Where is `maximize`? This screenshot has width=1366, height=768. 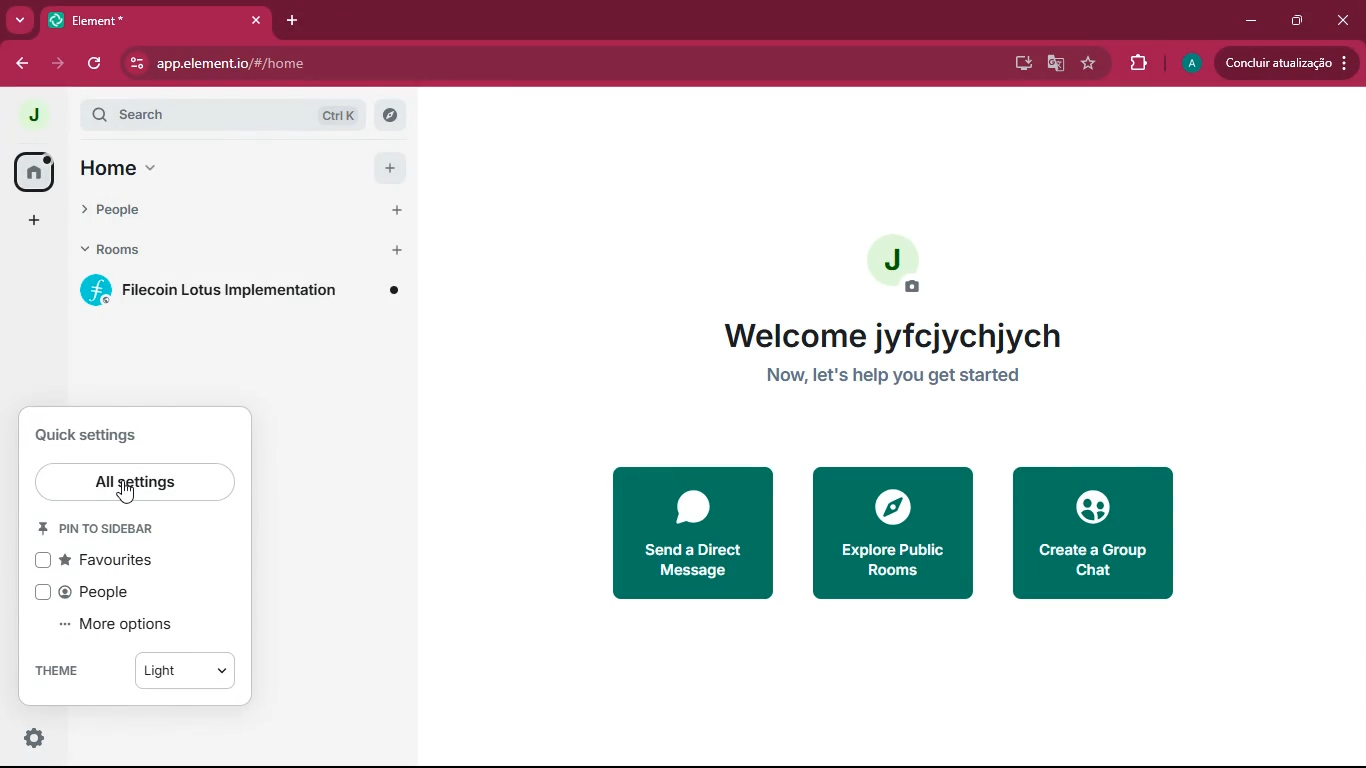
maximize is located at coordinates (1295, 19).